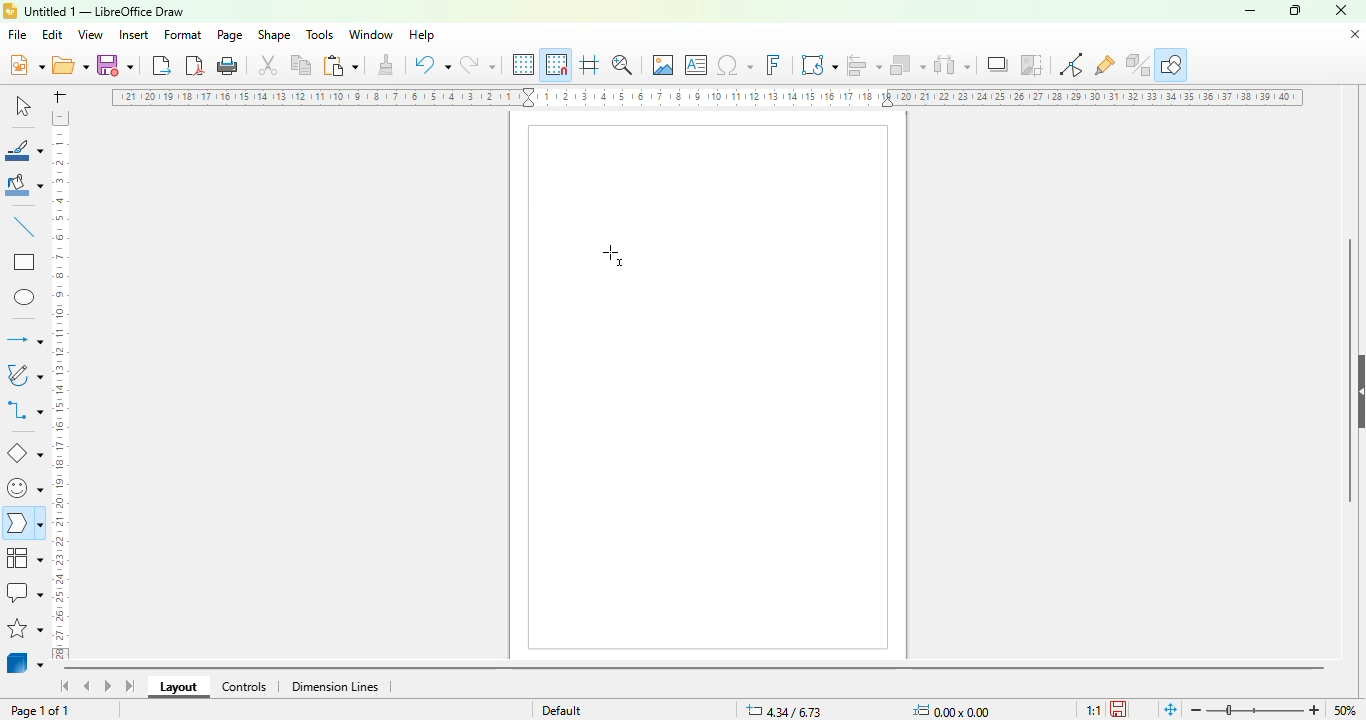 Image resolution: width=1366 pixels, height=720 pixels. What do you see at coordinates (25, 628) in the screenshot?
I see `stars and banners` at bounding box center [25, 628].